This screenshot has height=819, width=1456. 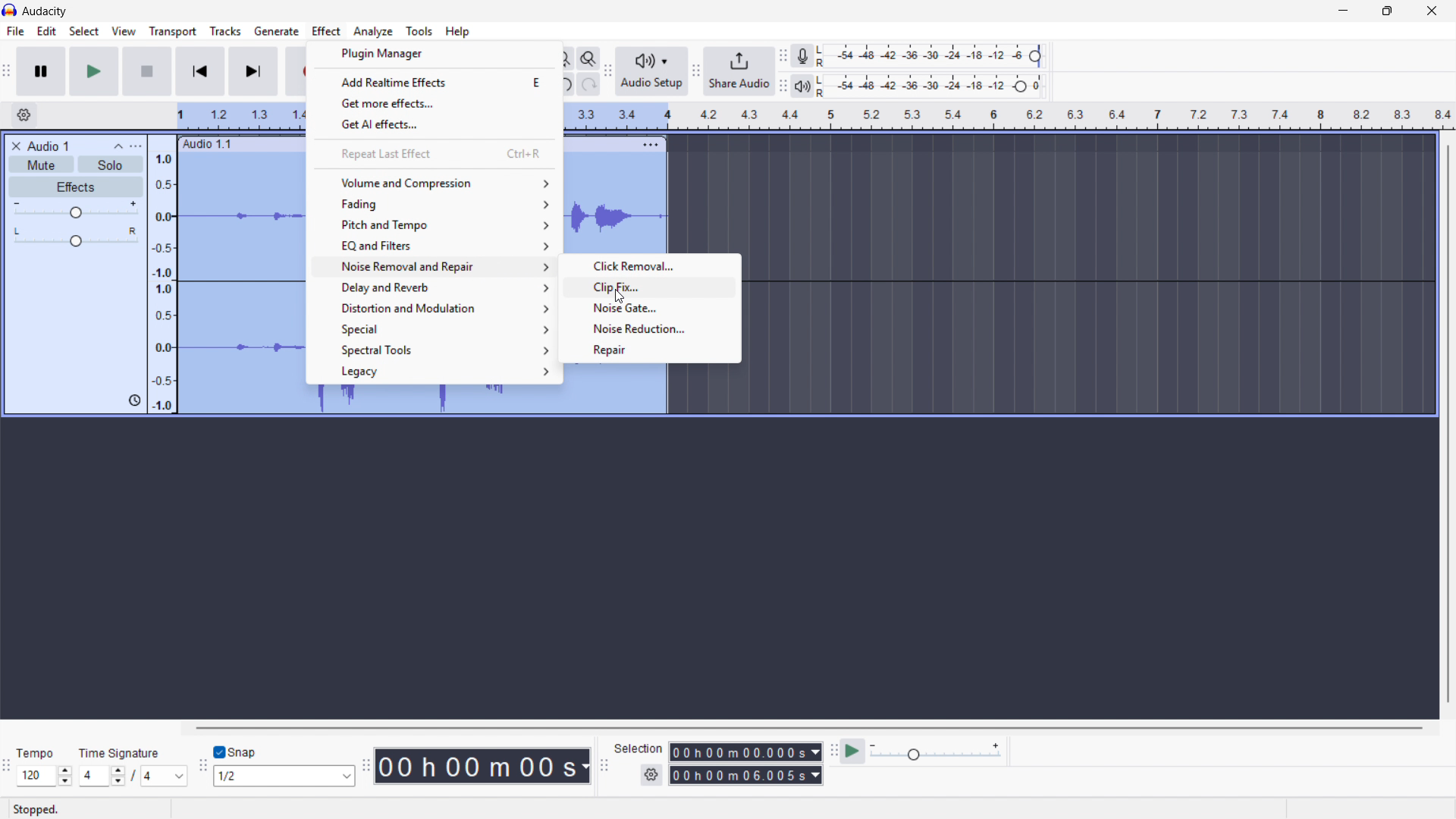 I want to click on Recording metre toolbar, so click(x=783, y=56).